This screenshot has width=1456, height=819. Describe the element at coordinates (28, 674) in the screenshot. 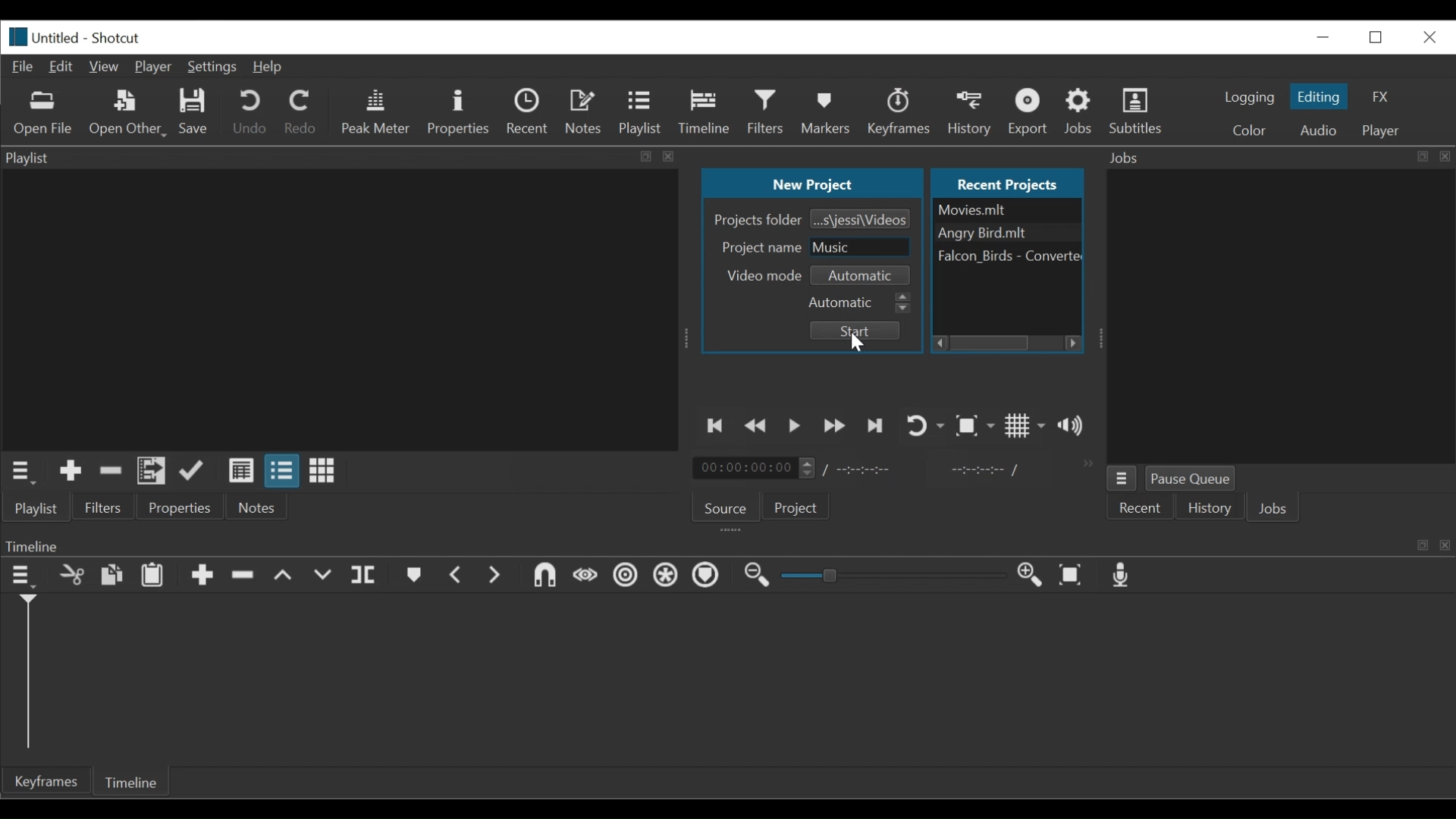

I see `Timeline cursor` at that location.